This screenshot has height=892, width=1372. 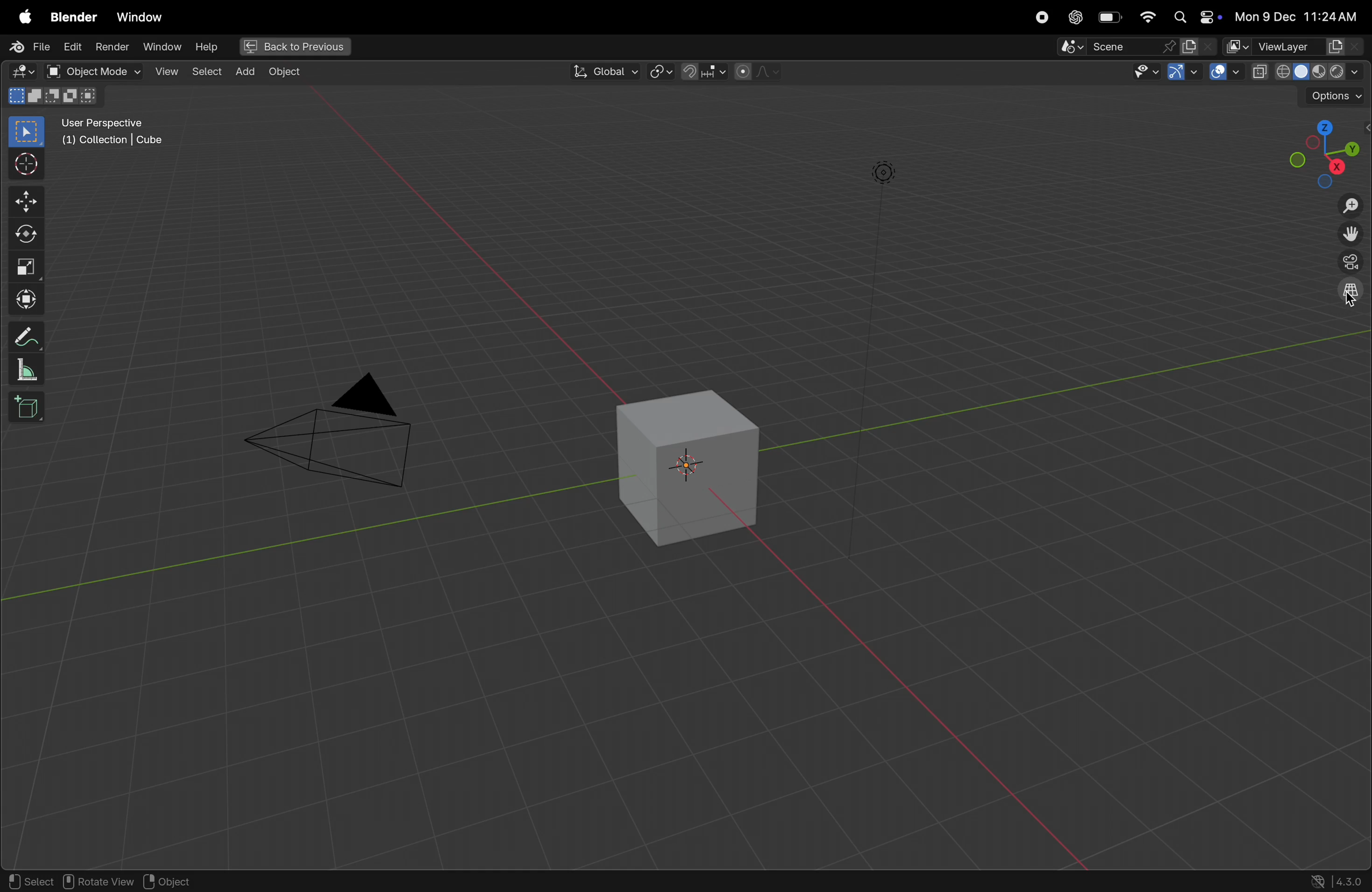 I want to click on select, so click(x=206, y=73).